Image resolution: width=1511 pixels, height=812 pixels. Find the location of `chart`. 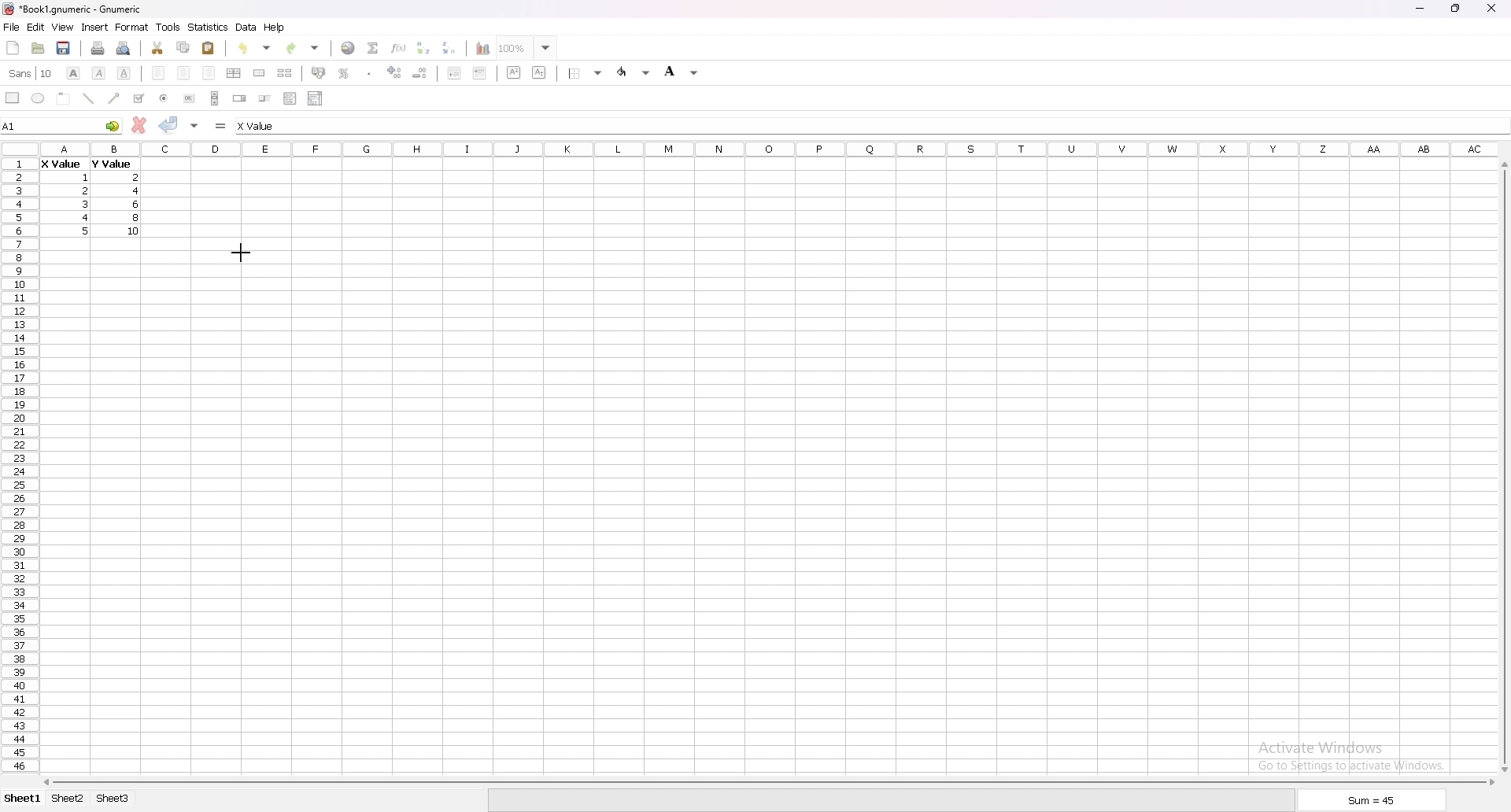

chart is located at coordinates (478, 49).